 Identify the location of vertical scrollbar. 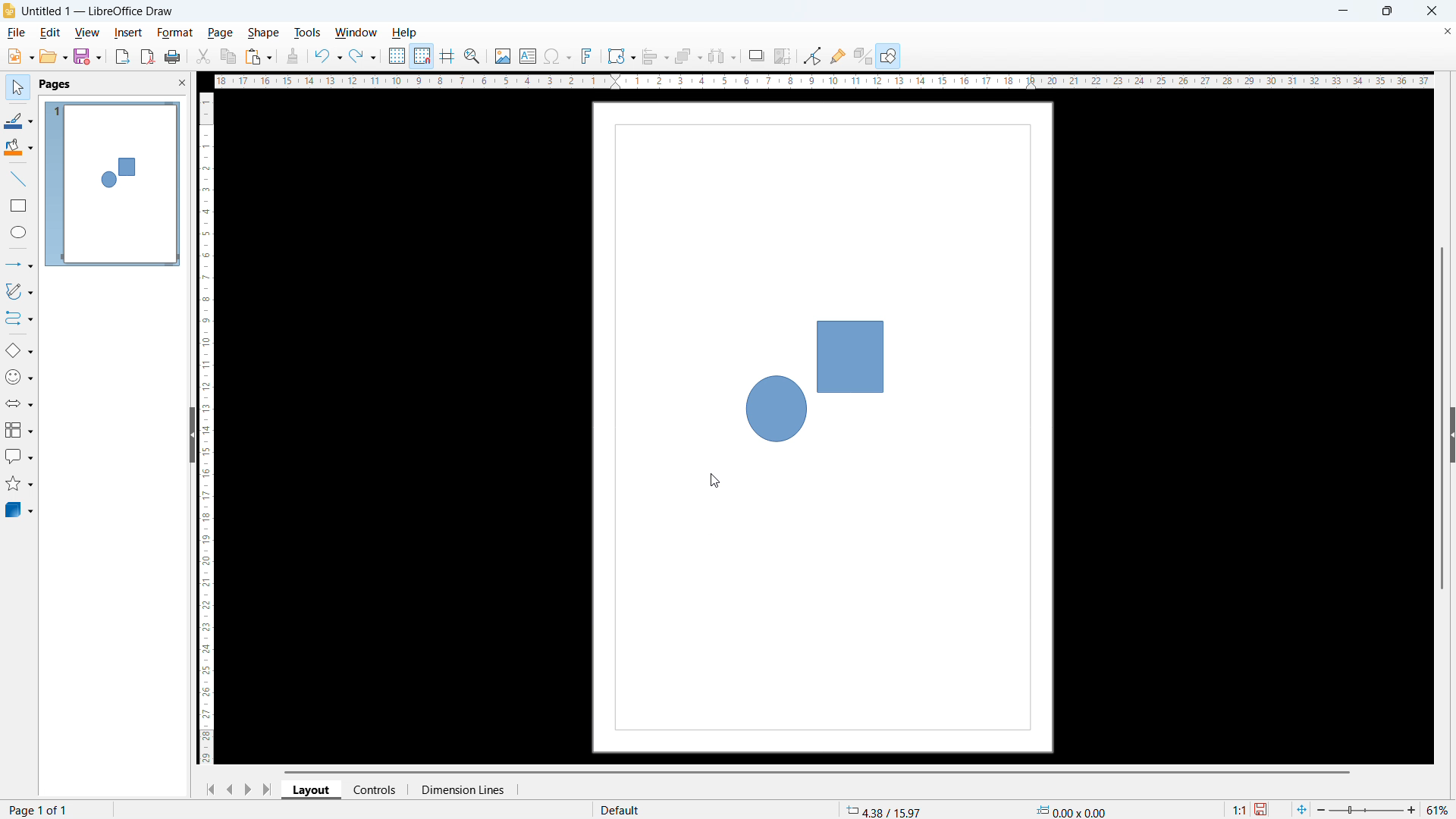
(1442, 416).